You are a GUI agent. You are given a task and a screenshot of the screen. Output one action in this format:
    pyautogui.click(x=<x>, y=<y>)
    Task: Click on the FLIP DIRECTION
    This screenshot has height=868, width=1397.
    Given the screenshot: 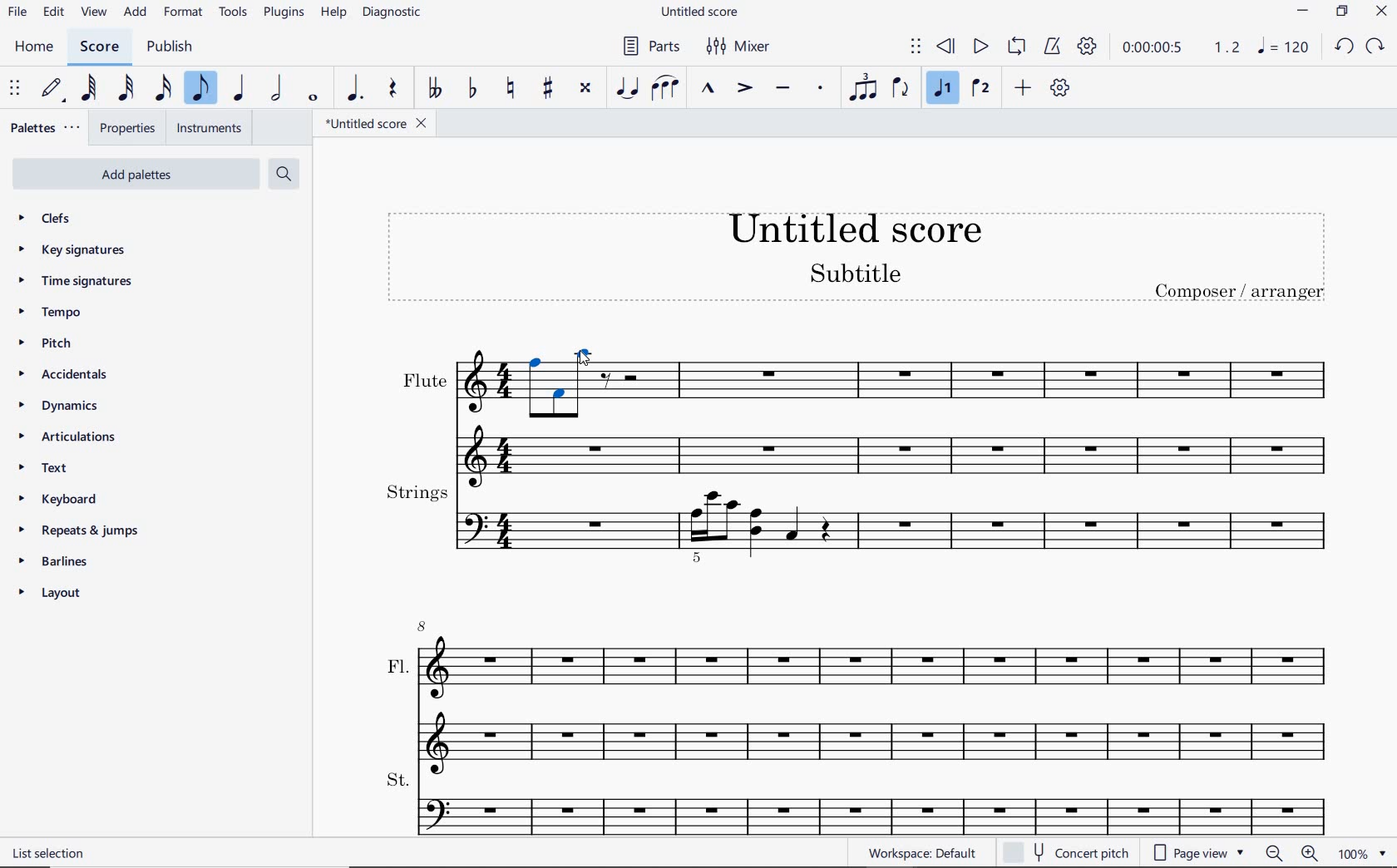 What is the action you would take?
    pyautogui.click(x=900, y=89)
    